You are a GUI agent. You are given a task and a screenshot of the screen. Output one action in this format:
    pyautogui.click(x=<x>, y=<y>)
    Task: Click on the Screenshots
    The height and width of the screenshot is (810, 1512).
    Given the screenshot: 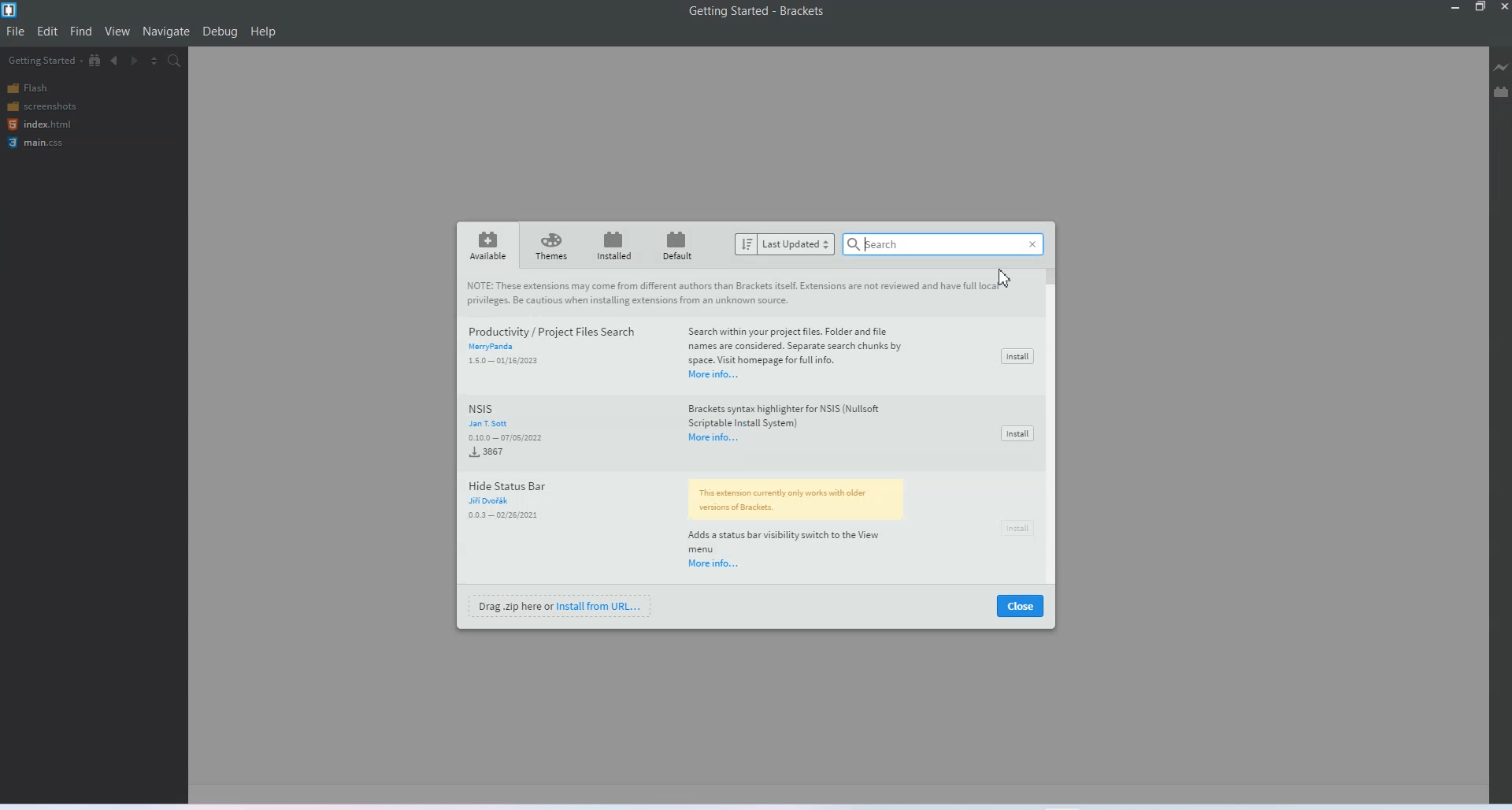 What is the action you would take?
    pyautogui.click(x=53, y=107)
    